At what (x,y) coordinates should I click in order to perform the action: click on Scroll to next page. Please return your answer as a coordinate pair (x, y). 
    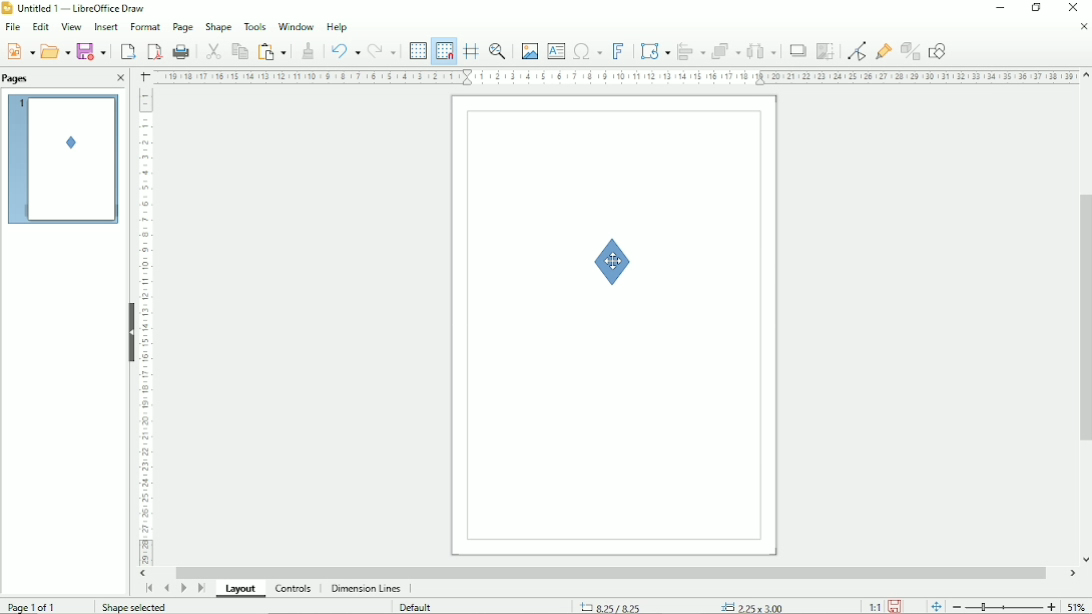
    Looking at the image, I should click on (184, 589).